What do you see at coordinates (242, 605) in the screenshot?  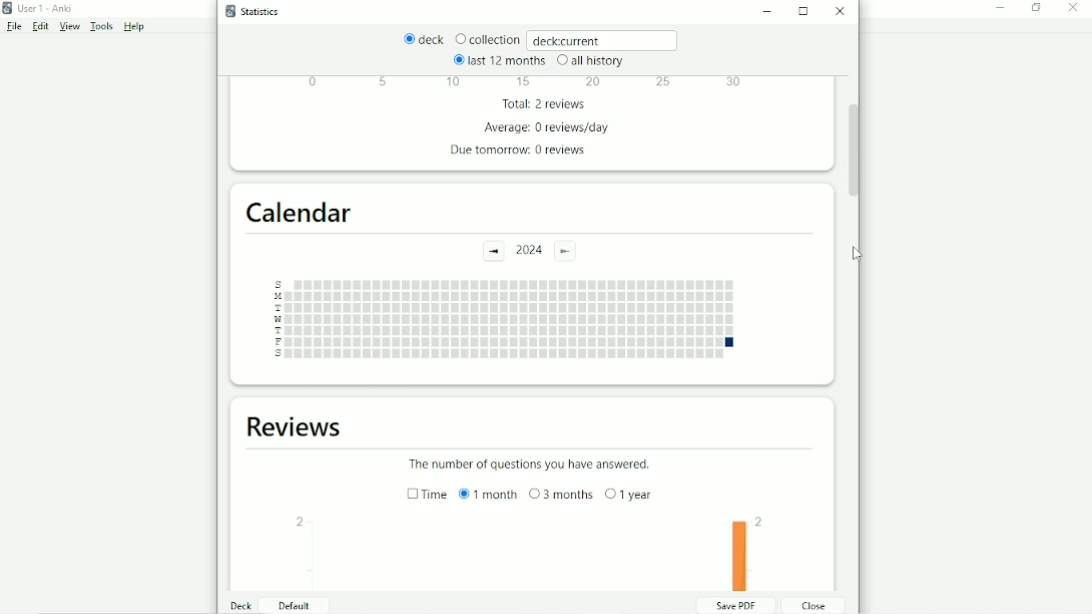 I see `Deck` at bounding box center [242, 605].